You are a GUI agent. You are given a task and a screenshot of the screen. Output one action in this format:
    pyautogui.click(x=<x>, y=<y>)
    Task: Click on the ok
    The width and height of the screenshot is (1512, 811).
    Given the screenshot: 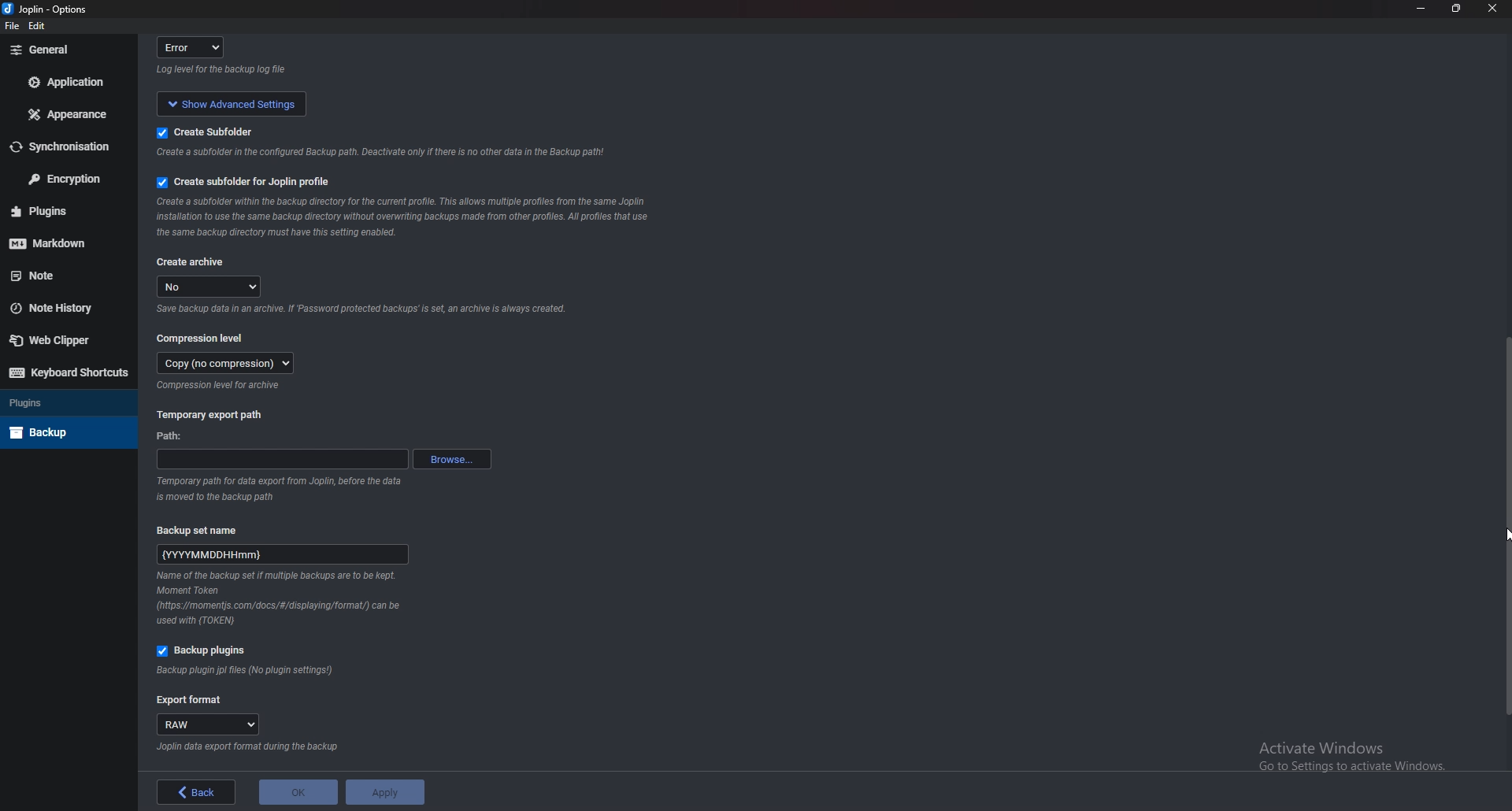 What is the action you would take?
    pyautogui.click(x=298, y=792)
    